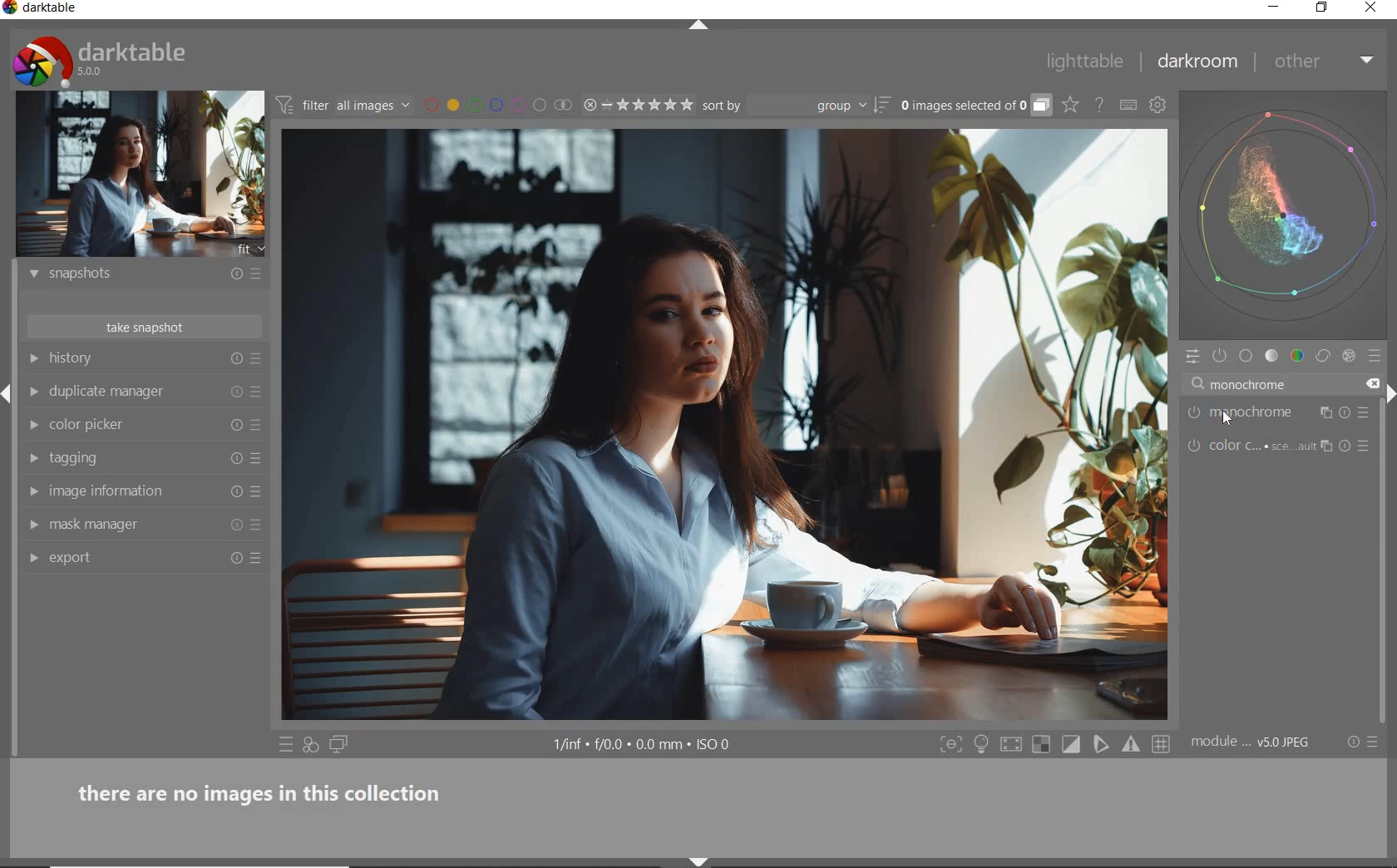 The width and height of the screenshot is (1397, 868). Describe the element at coordinates (260, 426) in the screenshot. I see `preset and preferences` at that location.